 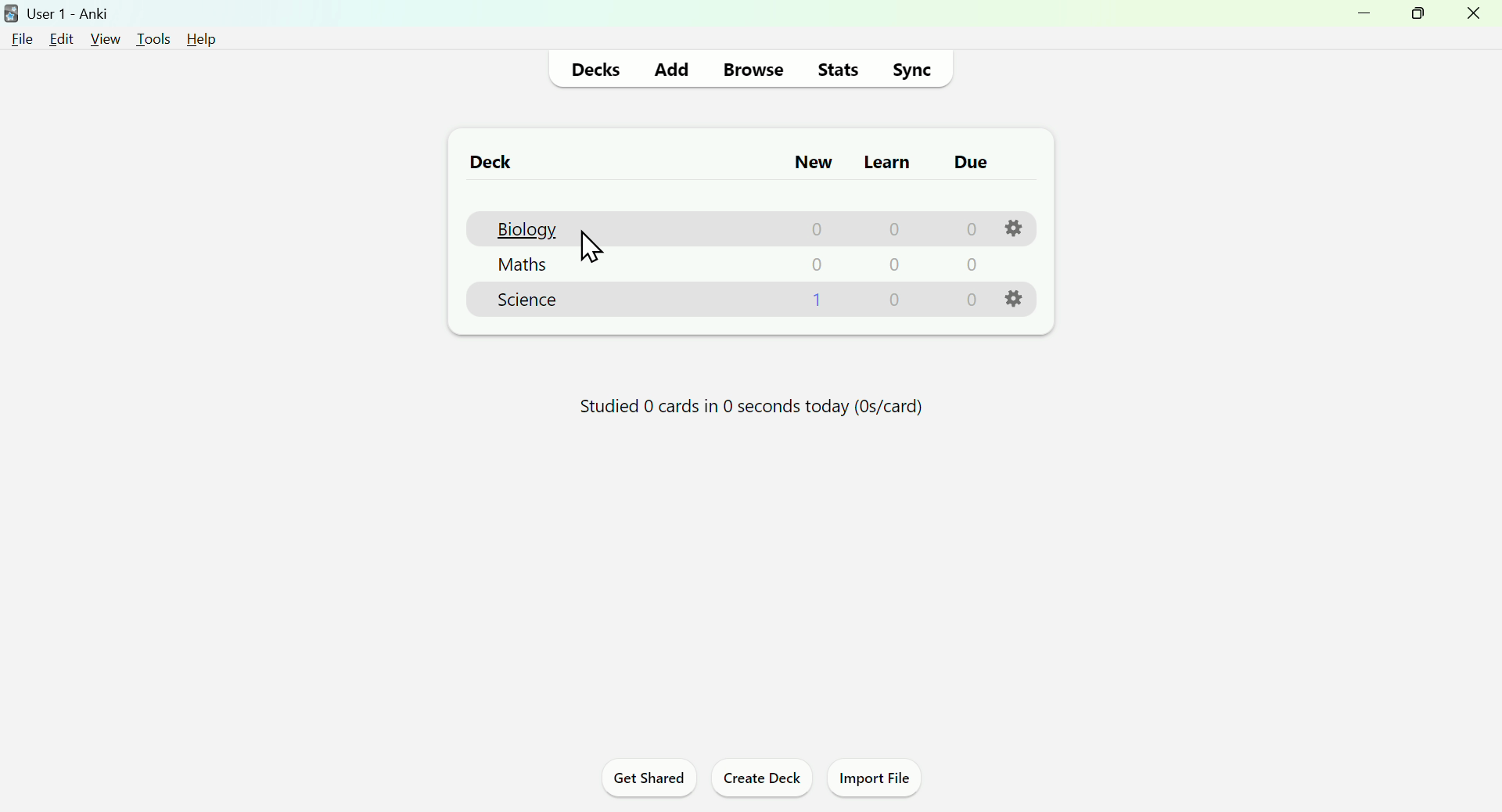 What do you see at coordinates (889, 161) in the screenshot?
I see `Learn` at bounding box center [889, 161].